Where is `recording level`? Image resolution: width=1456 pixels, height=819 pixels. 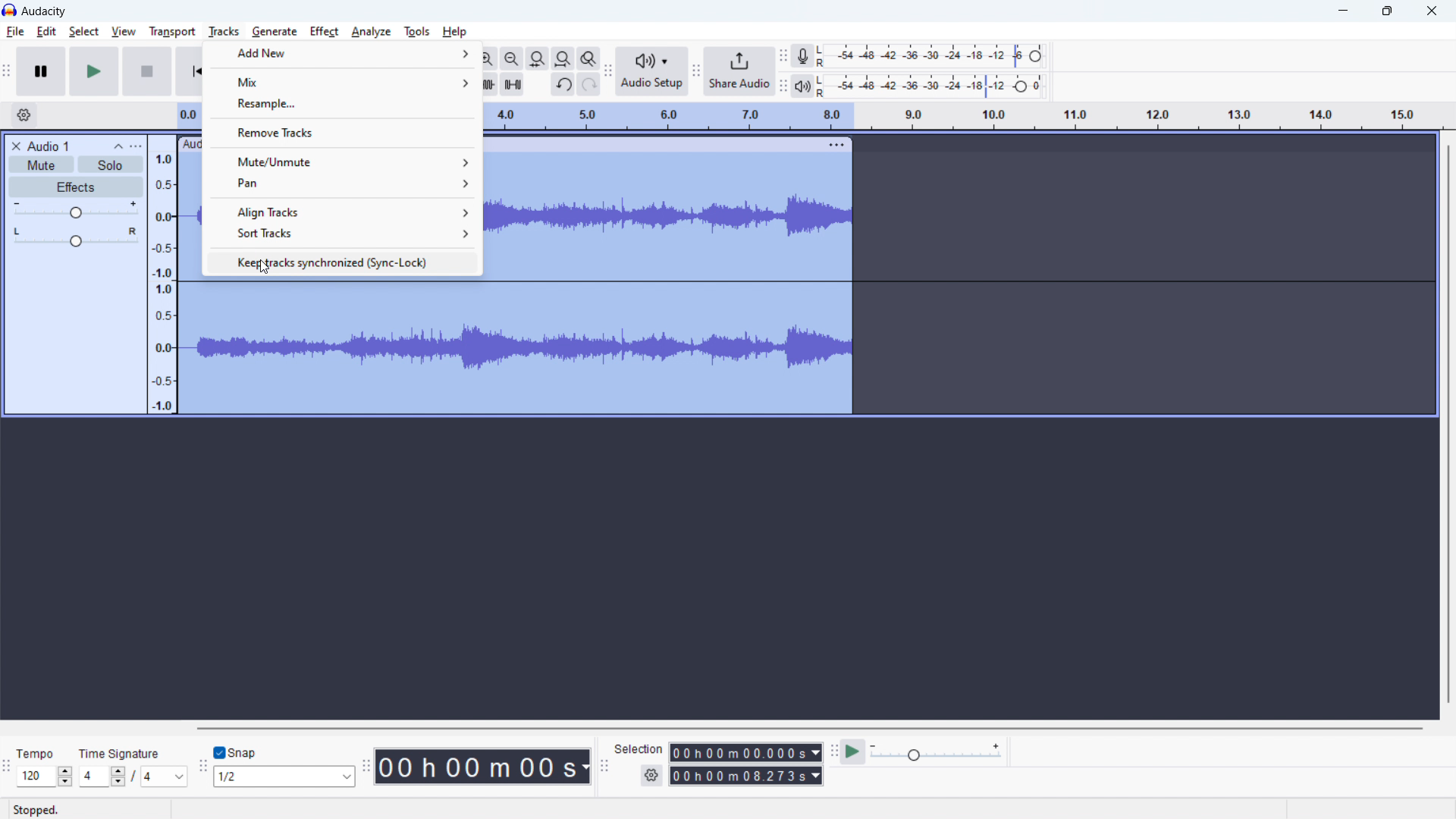 recording level is located at coordinates (927, 55).